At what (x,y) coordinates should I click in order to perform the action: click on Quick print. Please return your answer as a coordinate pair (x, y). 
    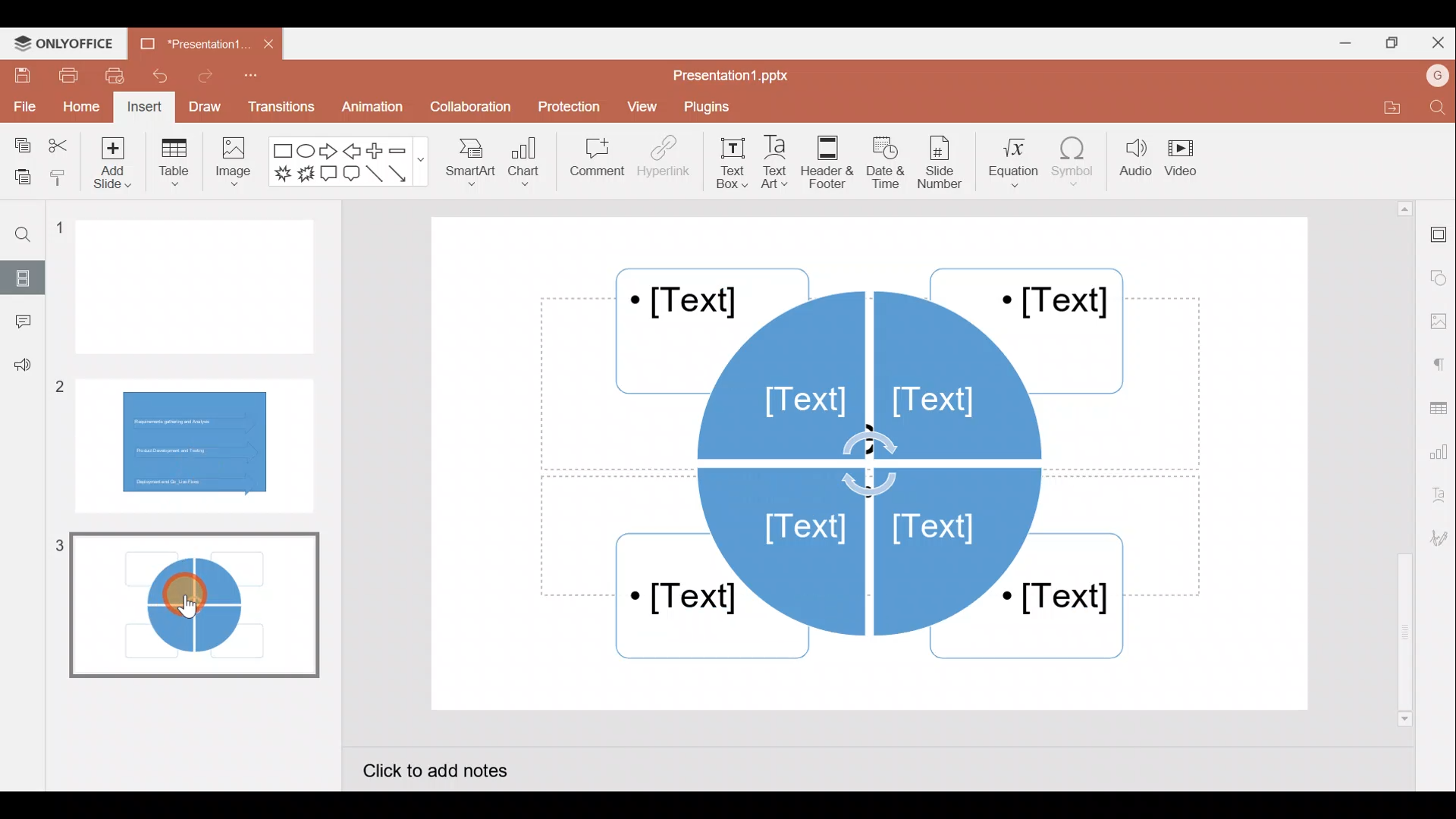
    Looking at the image, I should click on (115, 76).